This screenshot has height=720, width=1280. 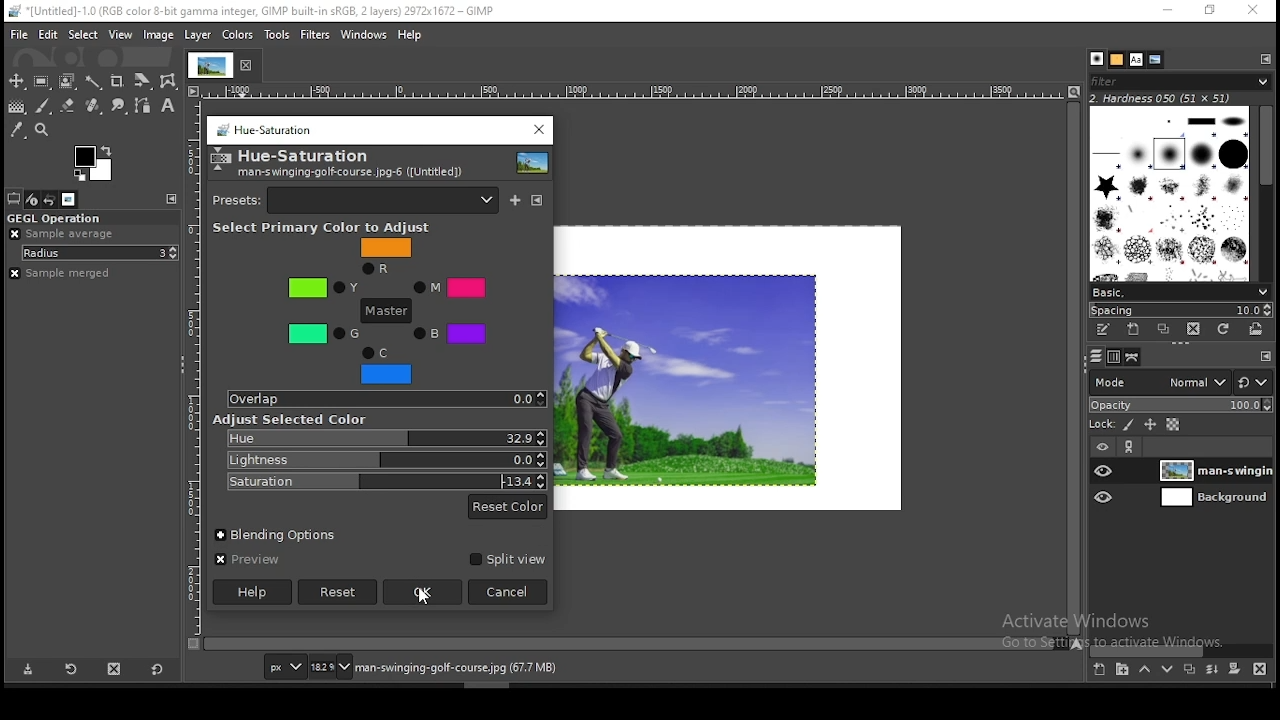 What do you see at coordinates (1182, 99) in the screenshot?
I see `hardness 050 (51x51)` at bounding box center [1182, 99].